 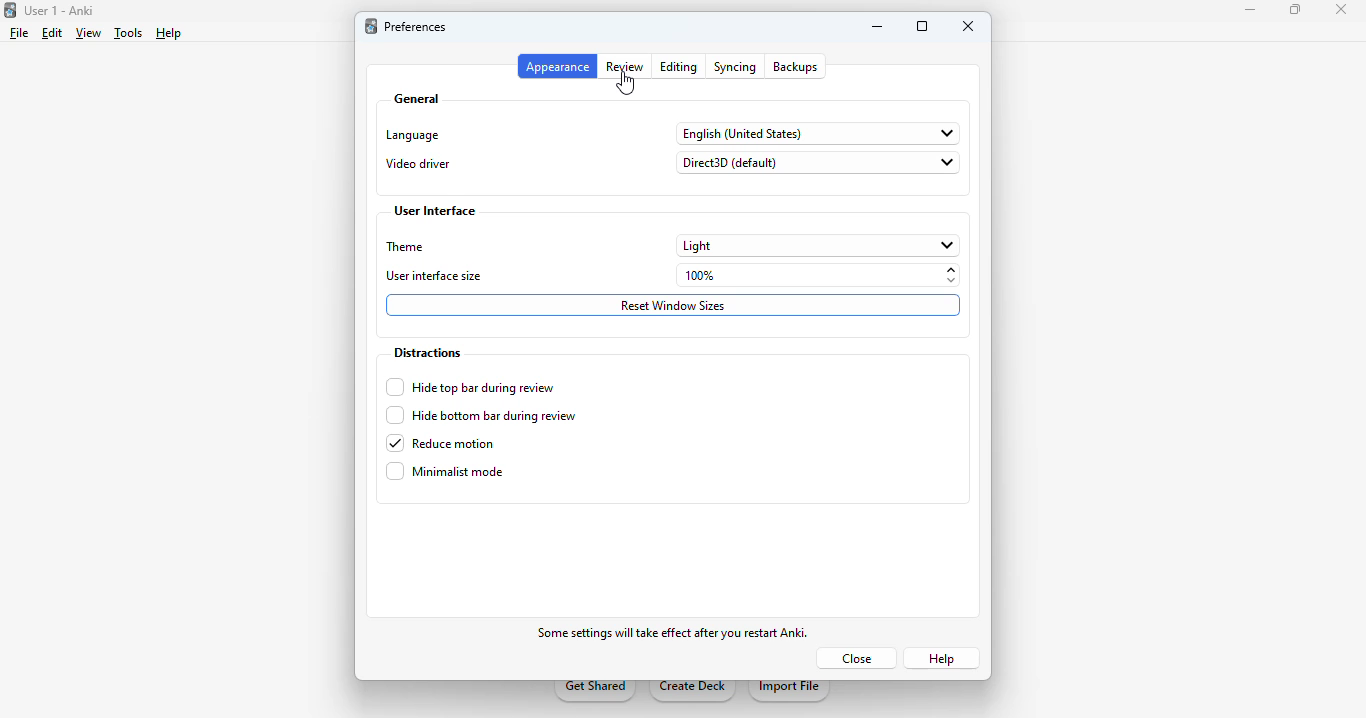 I want to click on tools, so click(x=128, y=33).